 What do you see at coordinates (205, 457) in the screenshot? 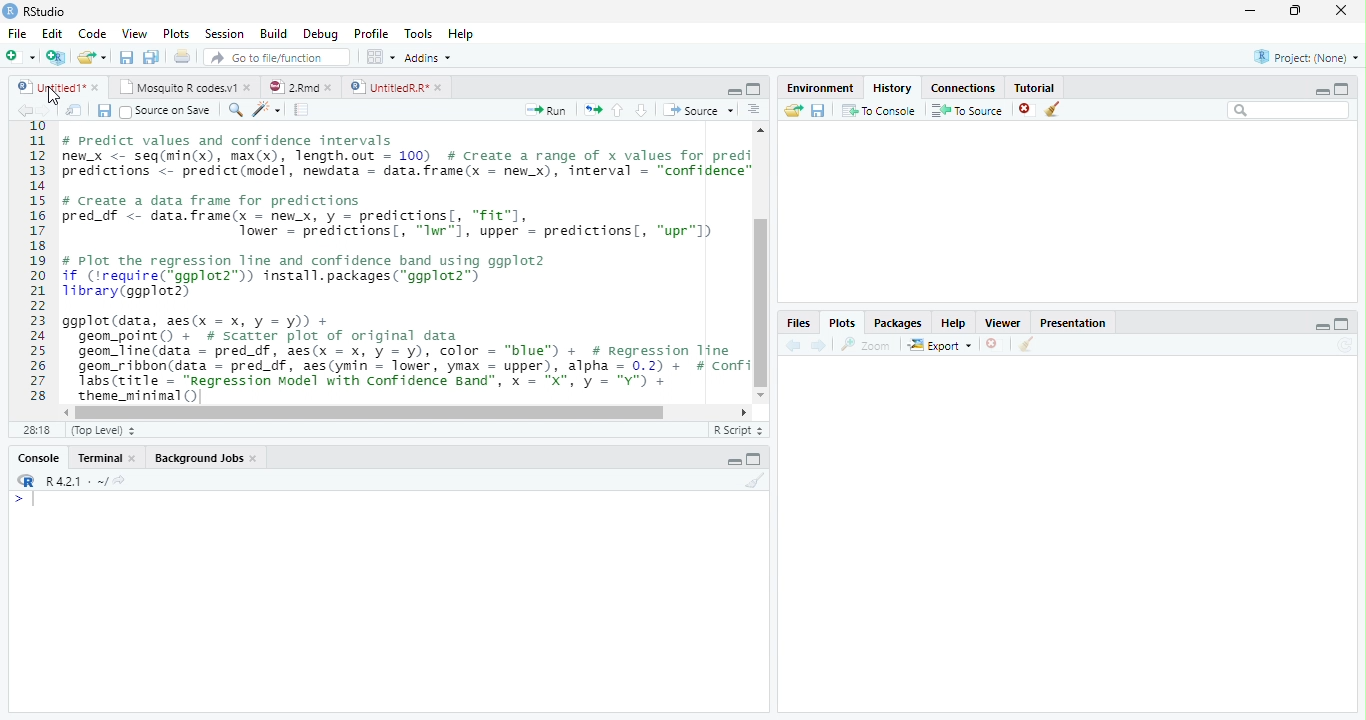
I see `Background Jobs` at bounding box center [205, 457].